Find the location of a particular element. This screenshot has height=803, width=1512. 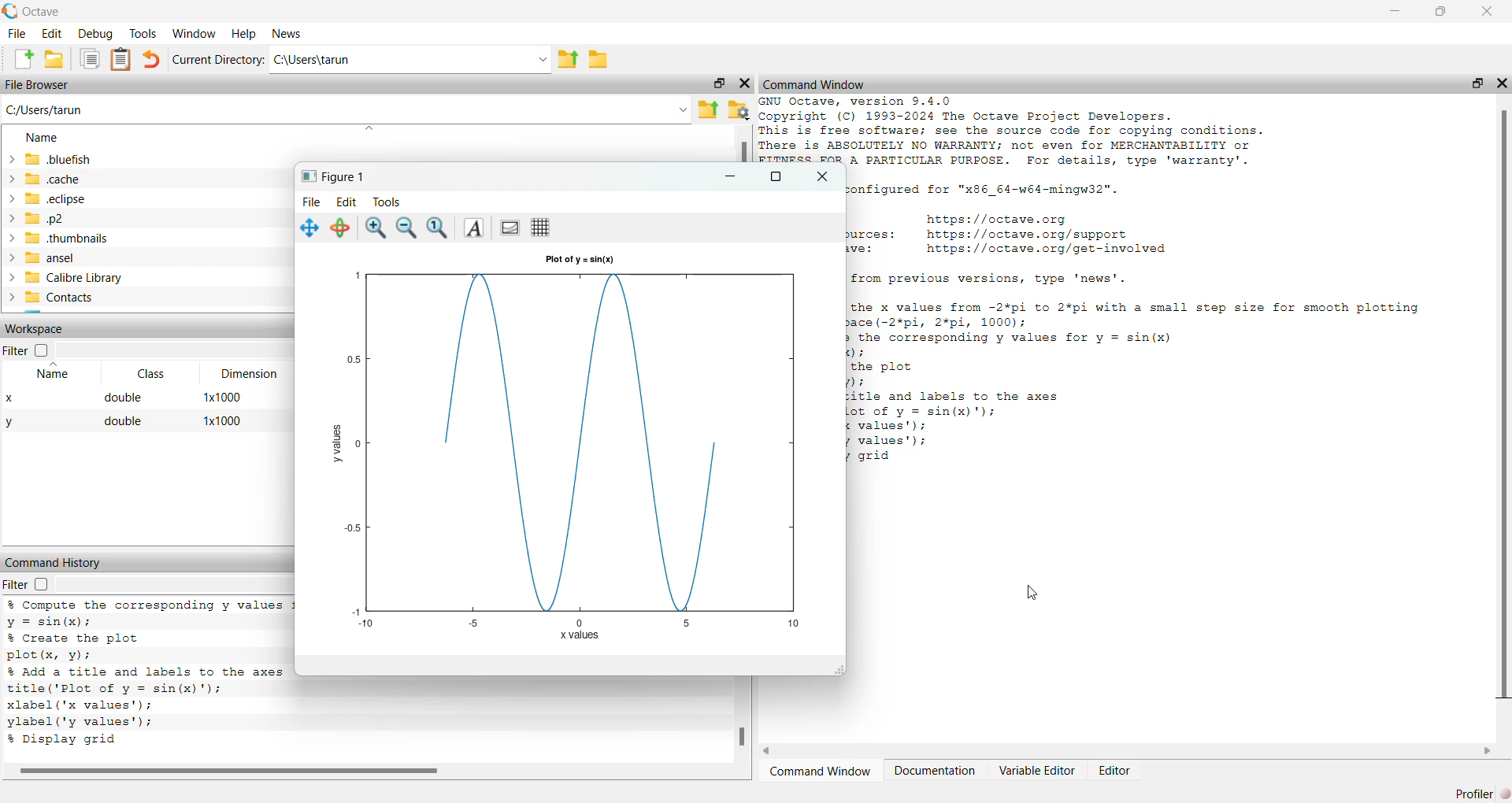

C:\Users\tarun is located at coordinates (410, 59).